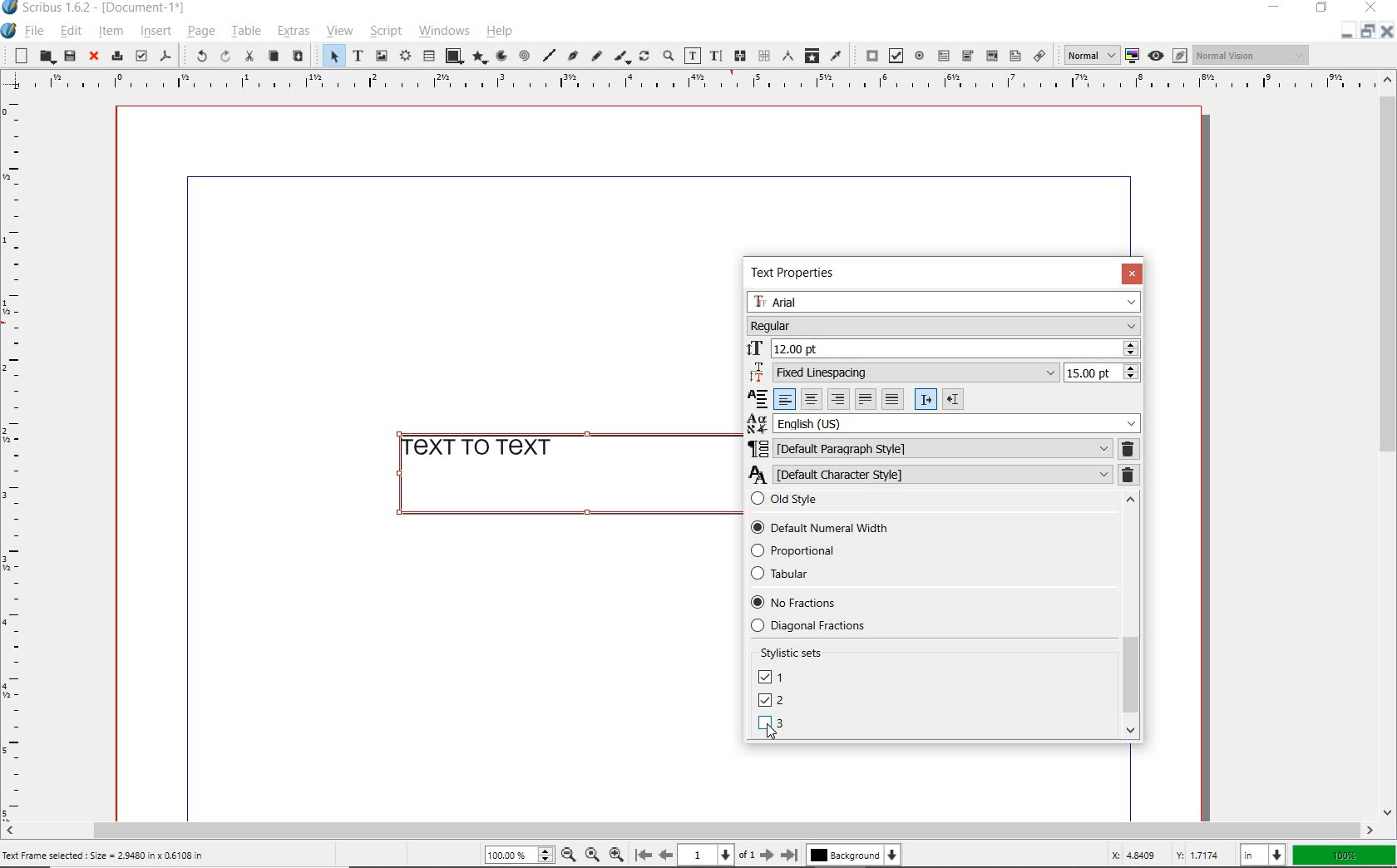 The width and height of the screenshot is (1397, 868). What do you see at coordinates (895, 56) in the screenshot?
I see `pdf check box` at bounding box center [895, 56].